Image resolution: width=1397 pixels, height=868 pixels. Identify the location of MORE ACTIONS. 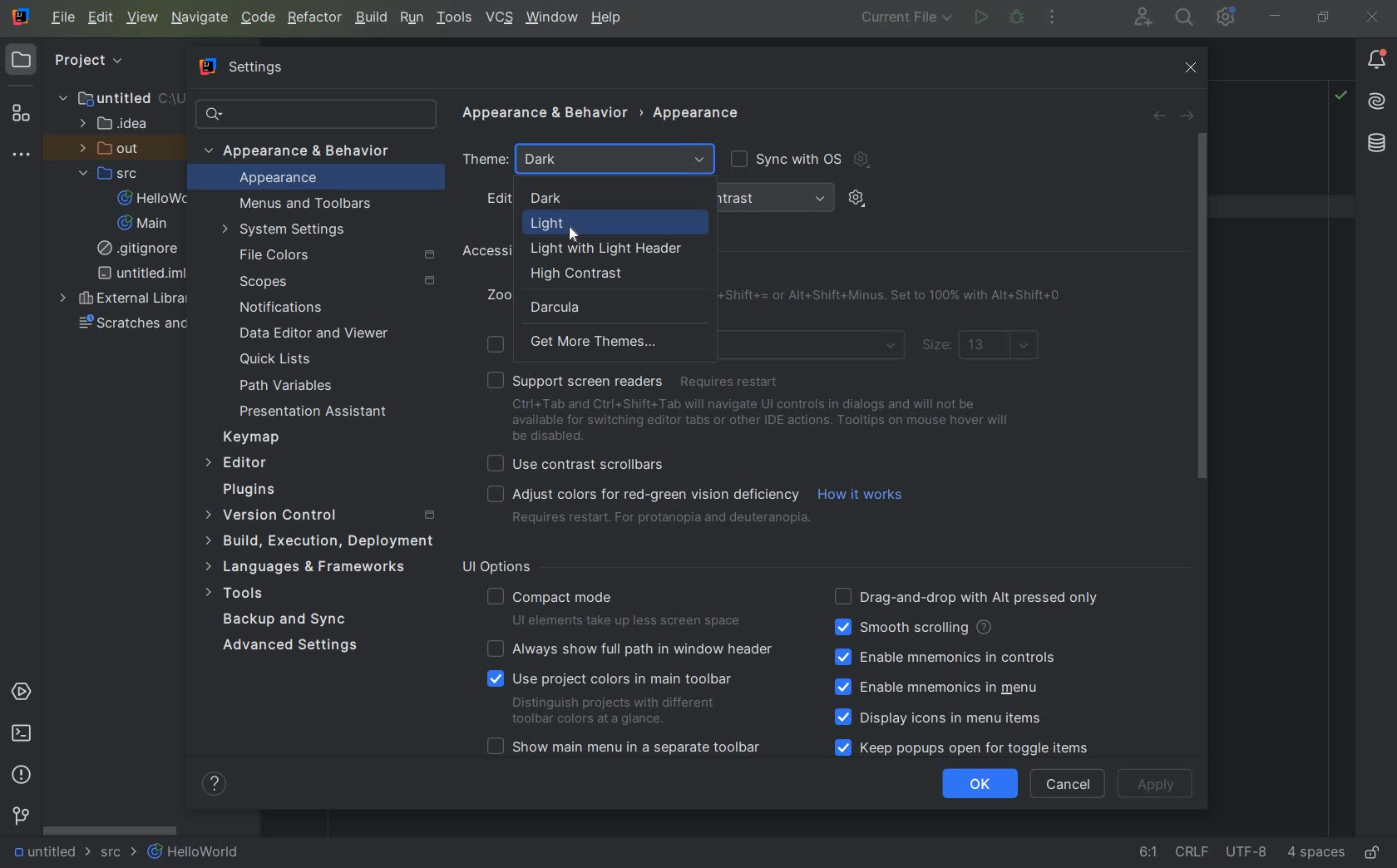
(1054, 19).